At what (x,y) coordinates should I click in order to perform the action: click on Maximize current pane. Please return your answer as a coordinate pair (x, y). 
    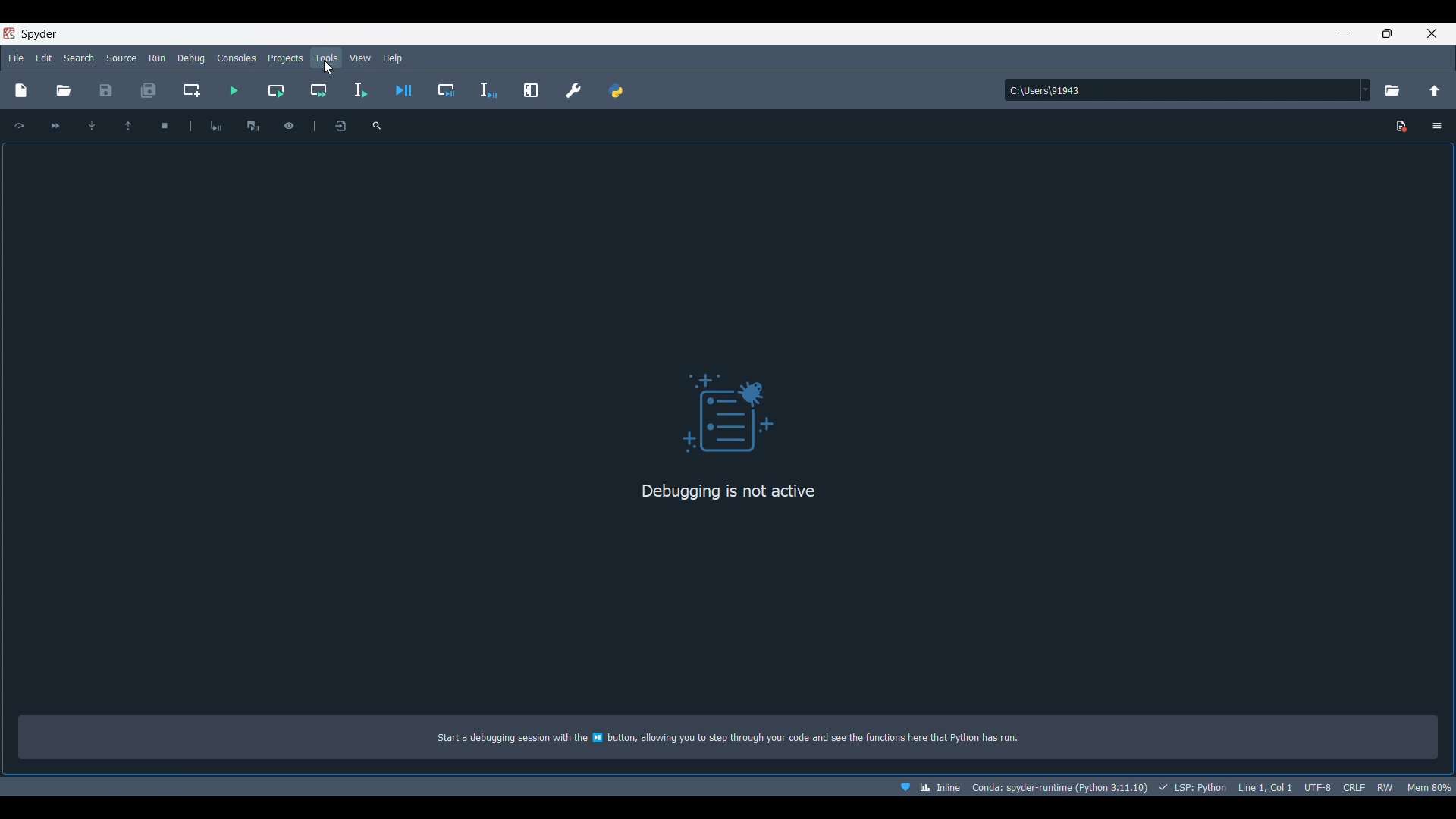
    Looking at the image, I should click on (531, 90).